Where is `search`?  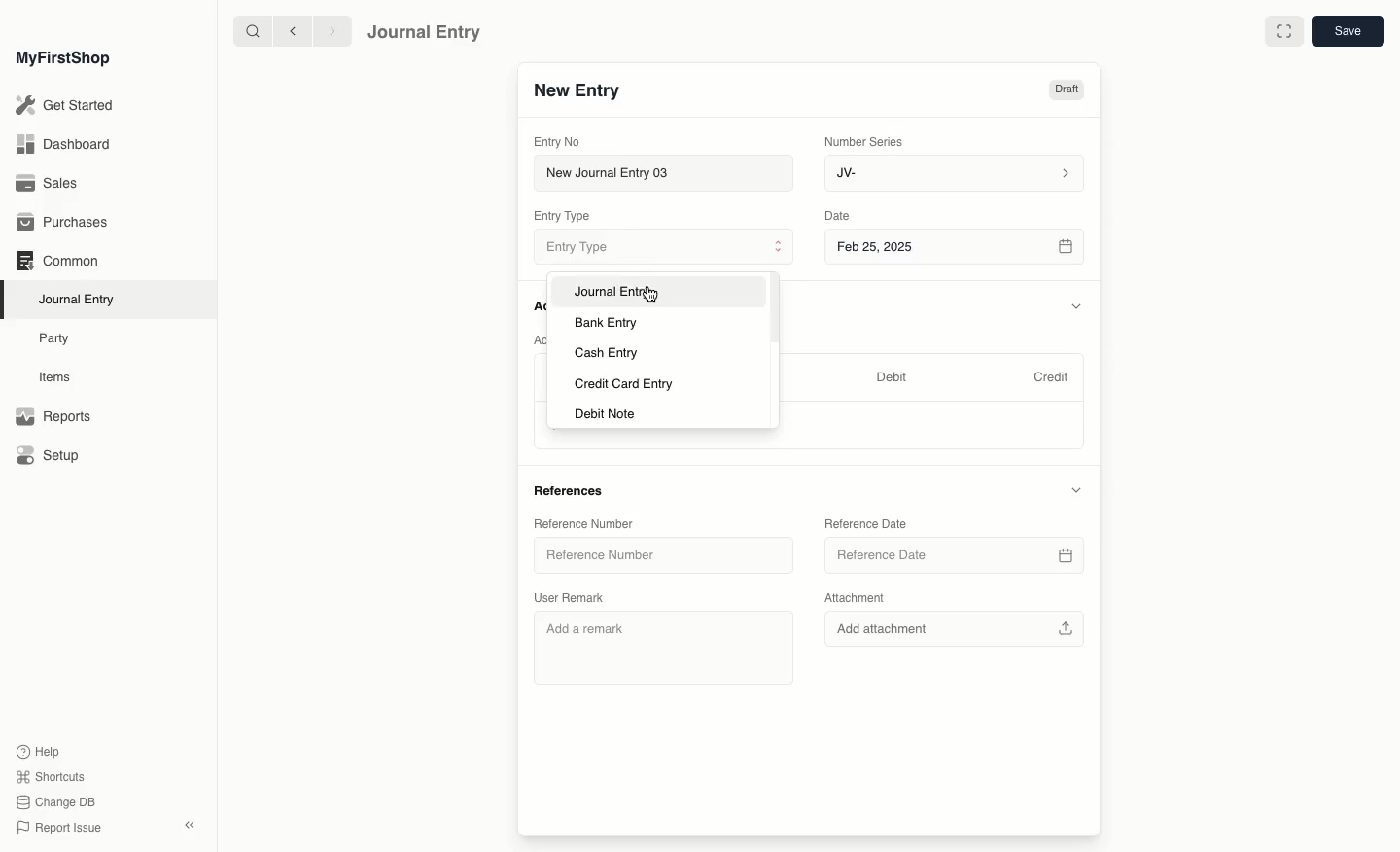 search is located at coordinates (248, 31).